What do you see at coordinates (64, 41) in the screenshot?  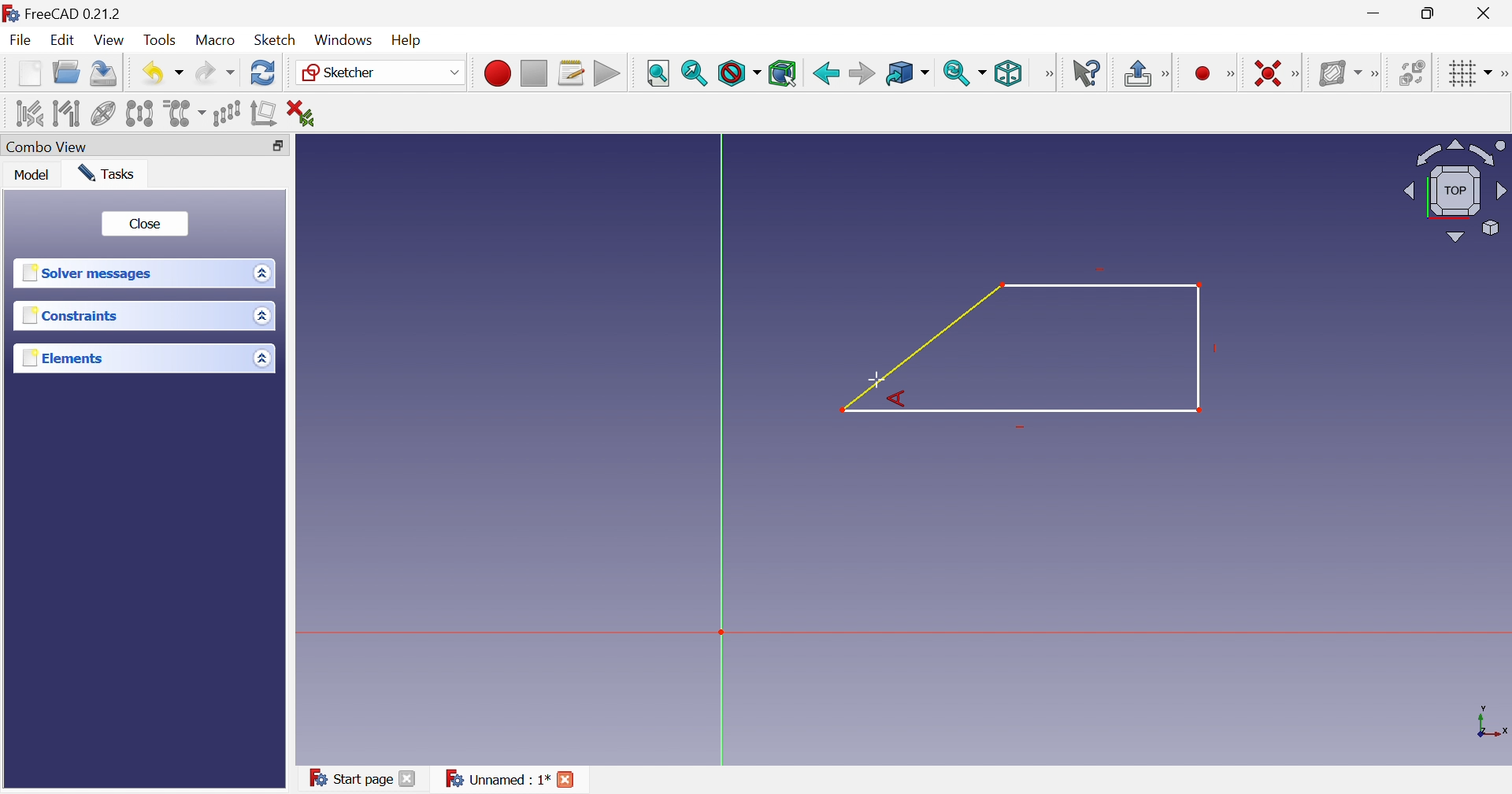 I see `Edit` at bounding box center [64, 41].